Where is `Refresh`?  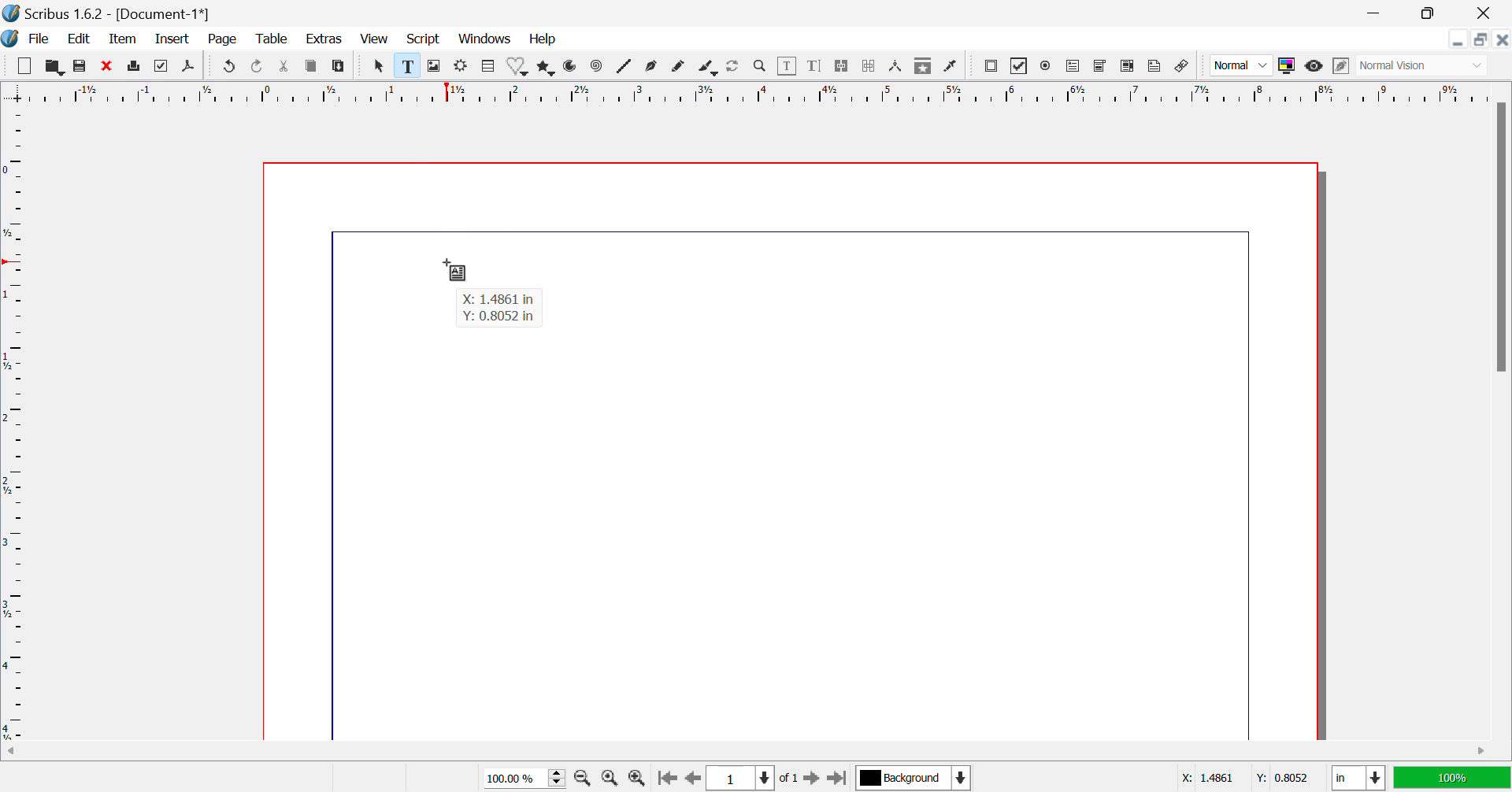
Refresh is located at coordinates (736, 68).